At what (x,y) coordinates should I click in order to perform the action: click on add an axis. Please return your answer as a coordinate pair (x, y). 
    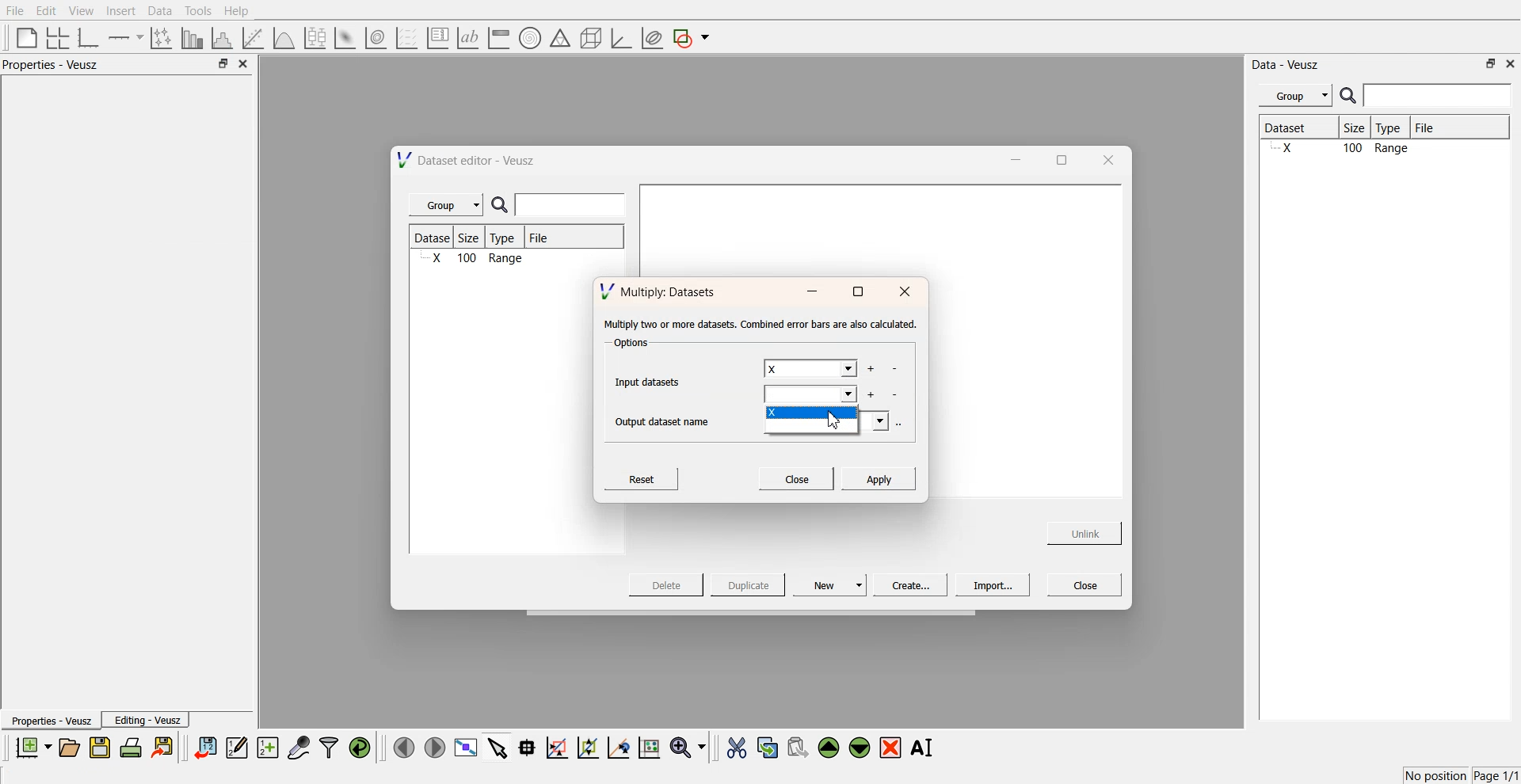
    Looking at the image, I should click on (127, 37).